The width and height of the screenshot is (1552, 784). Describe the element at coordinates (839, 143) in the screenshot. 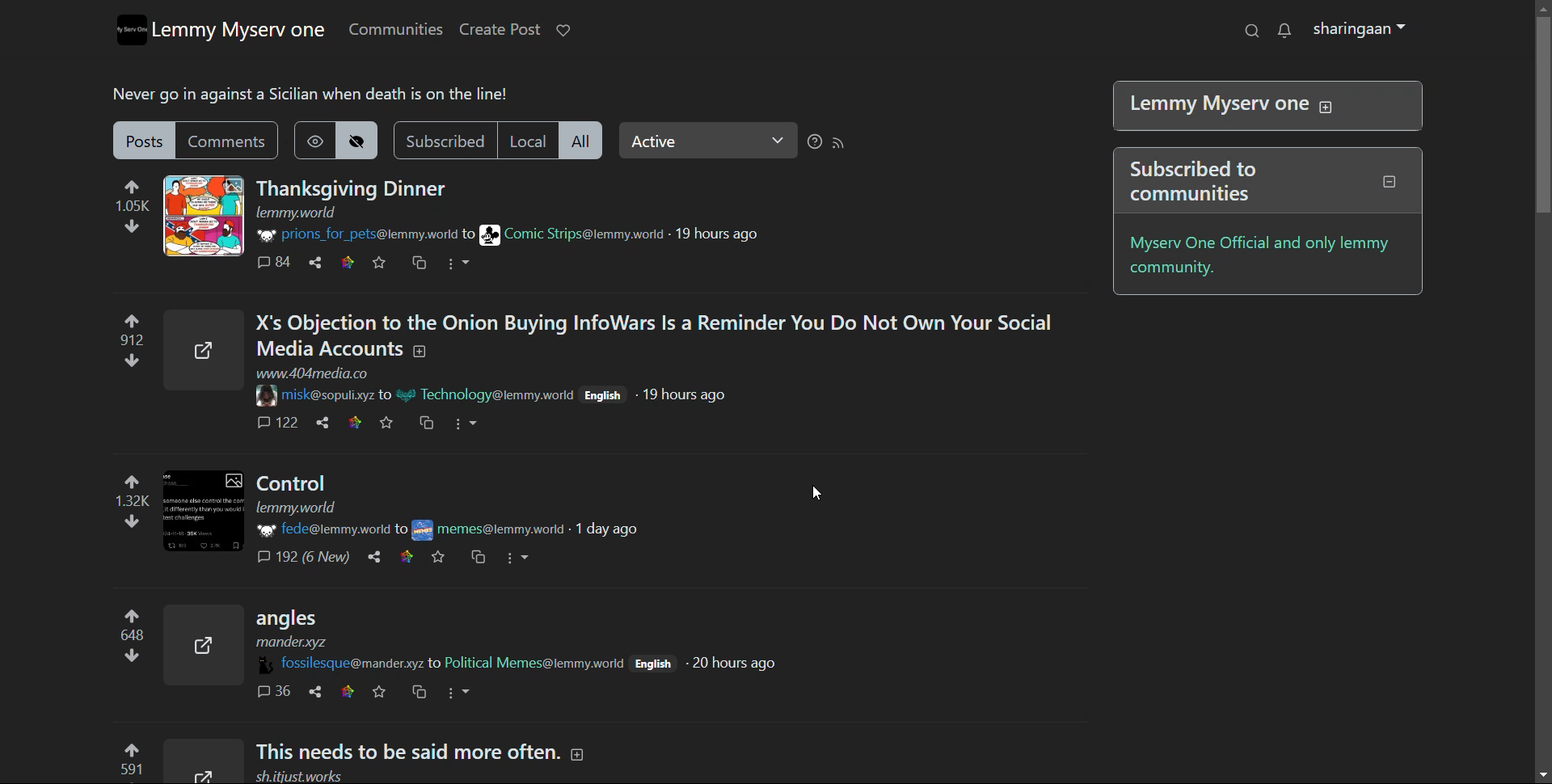

I see `rss` at that location.